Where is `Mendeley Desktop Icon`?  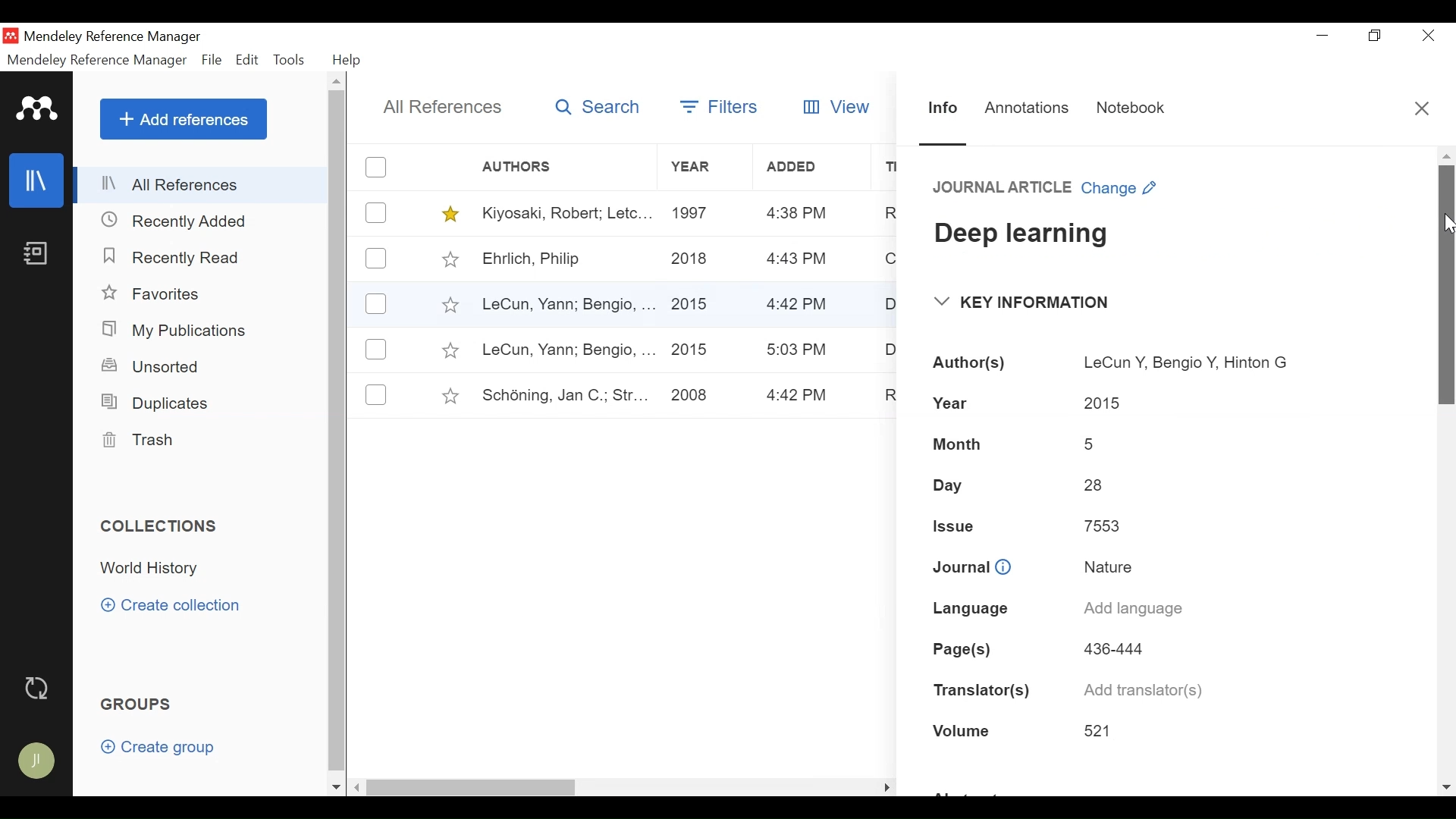
Mendeley Desktop Icon is located at coordinates (12, 36).